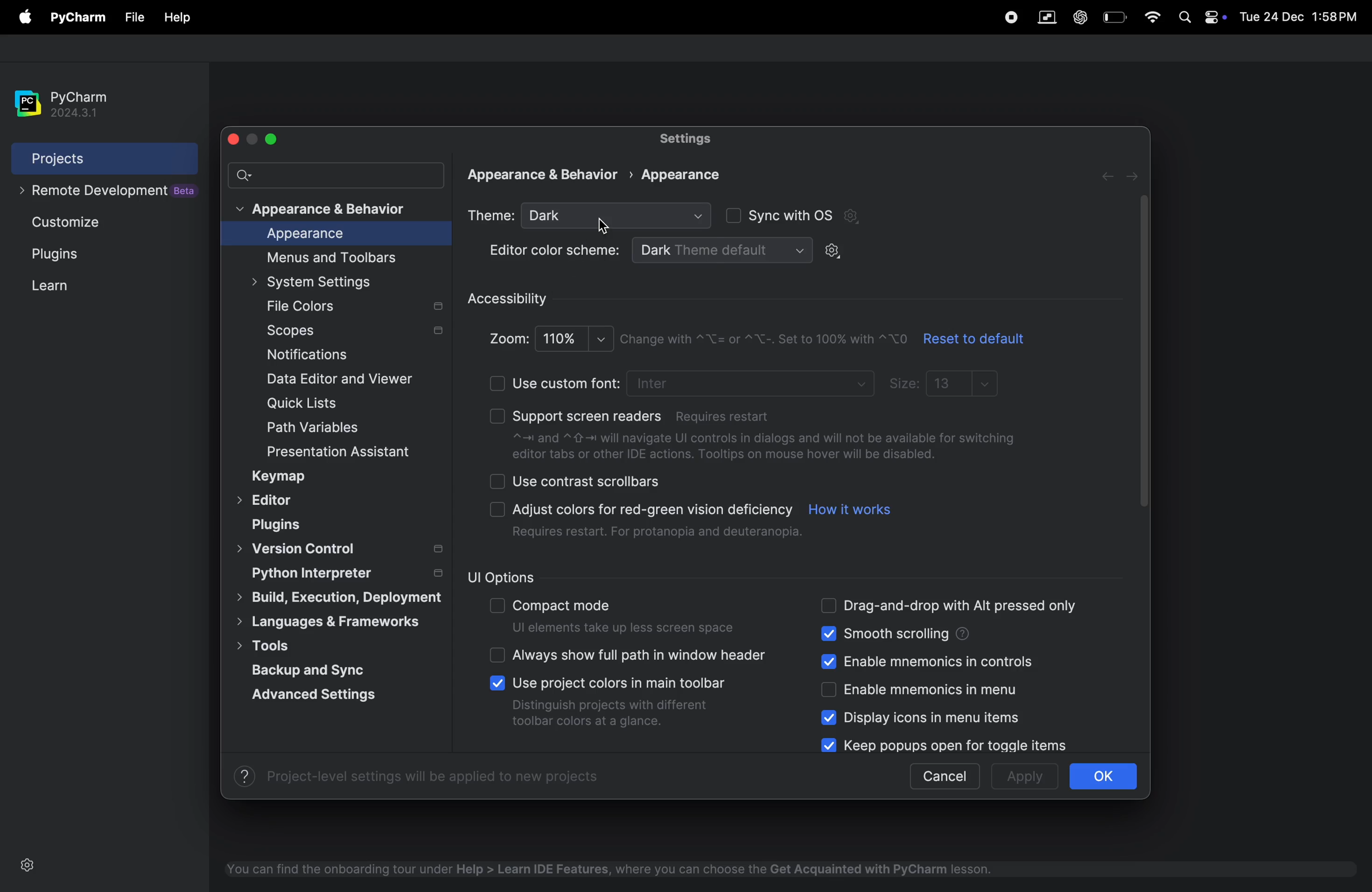 This screenshot has height=892, width=1372. I want to click on parallel space, so click(1050, 17).